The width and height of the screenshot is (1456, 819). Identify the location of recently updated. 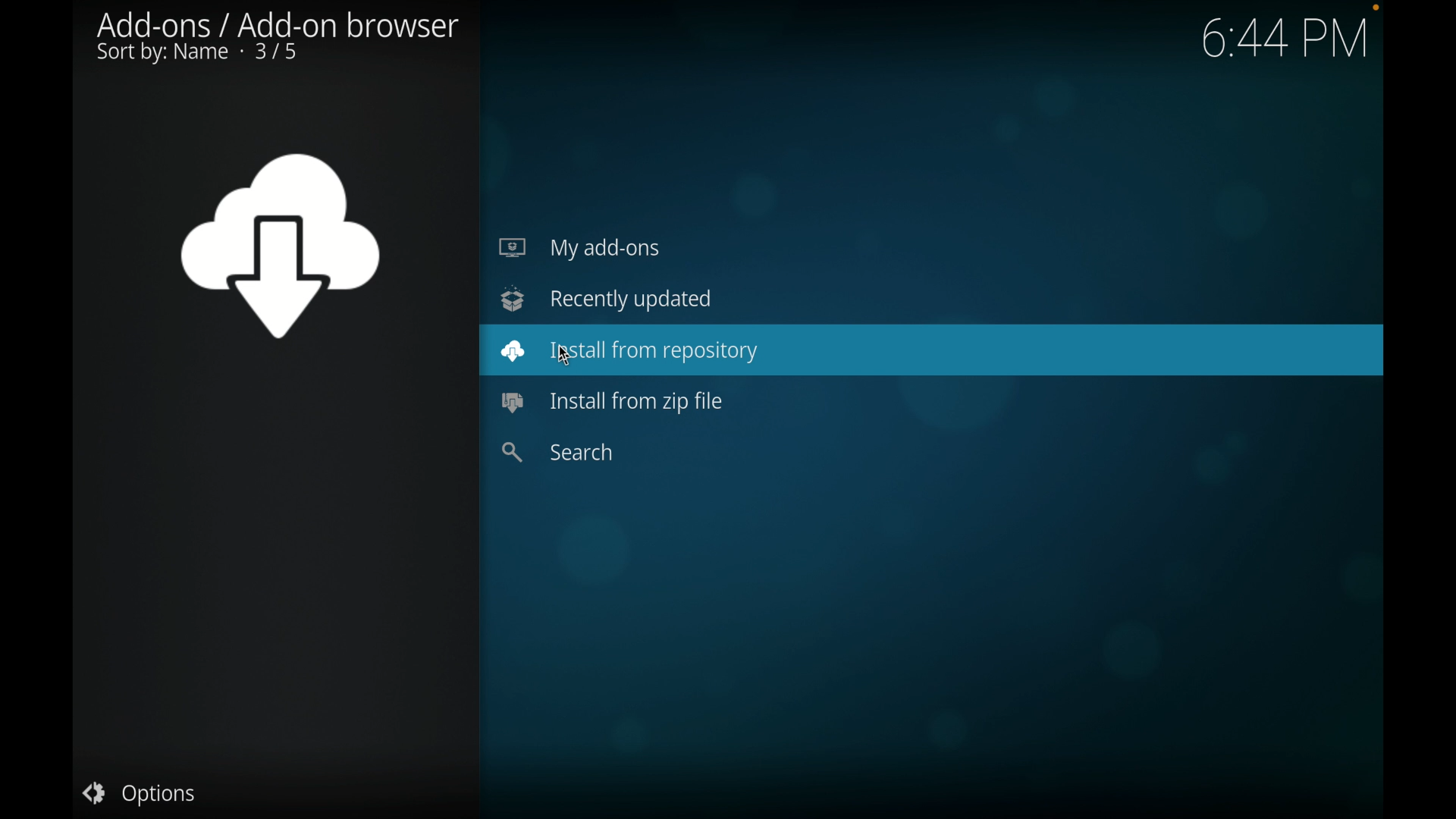
(609, 300).